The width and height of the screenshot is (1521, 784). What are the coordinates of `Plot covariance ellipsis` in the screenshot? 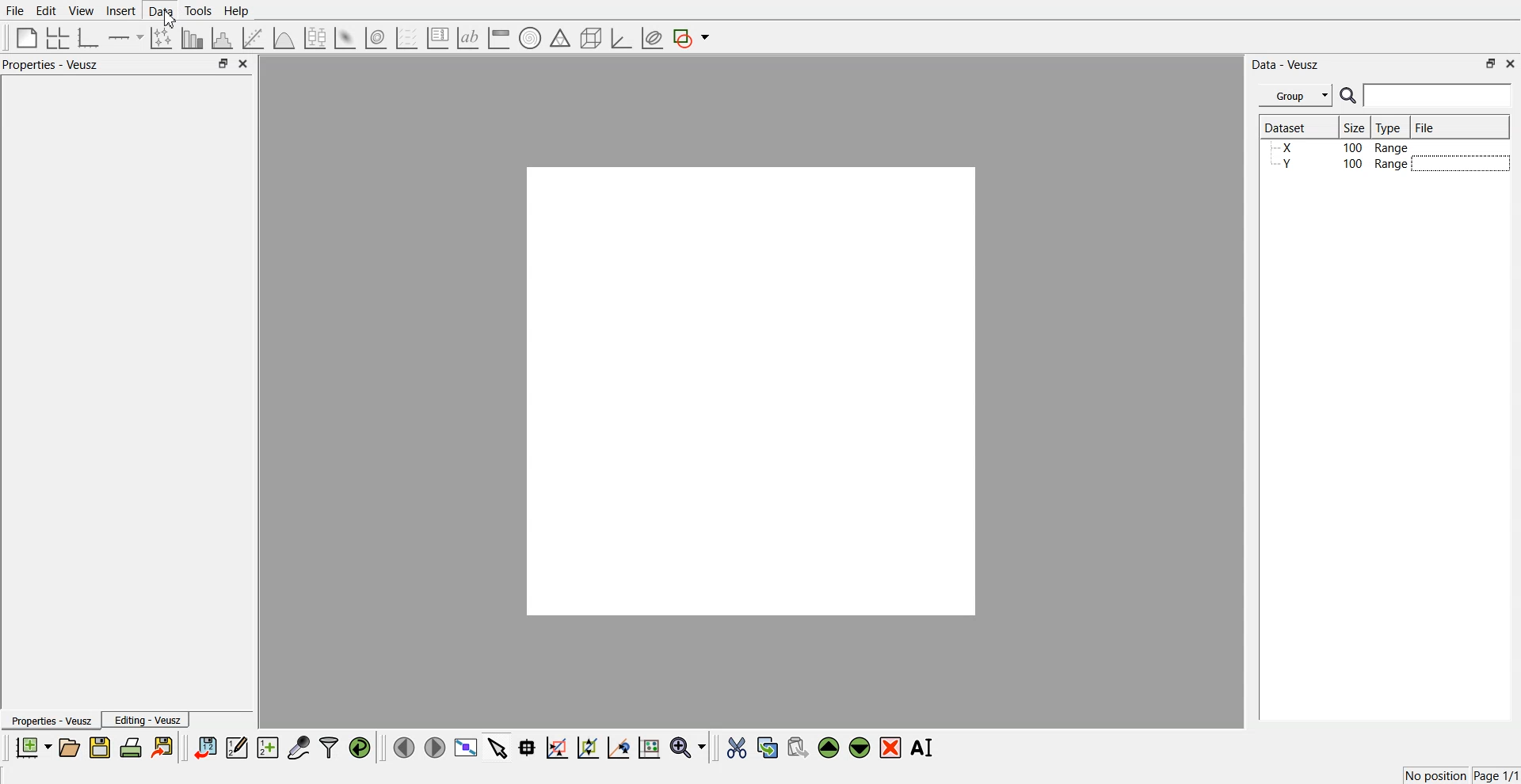 It's located at (653, 39).